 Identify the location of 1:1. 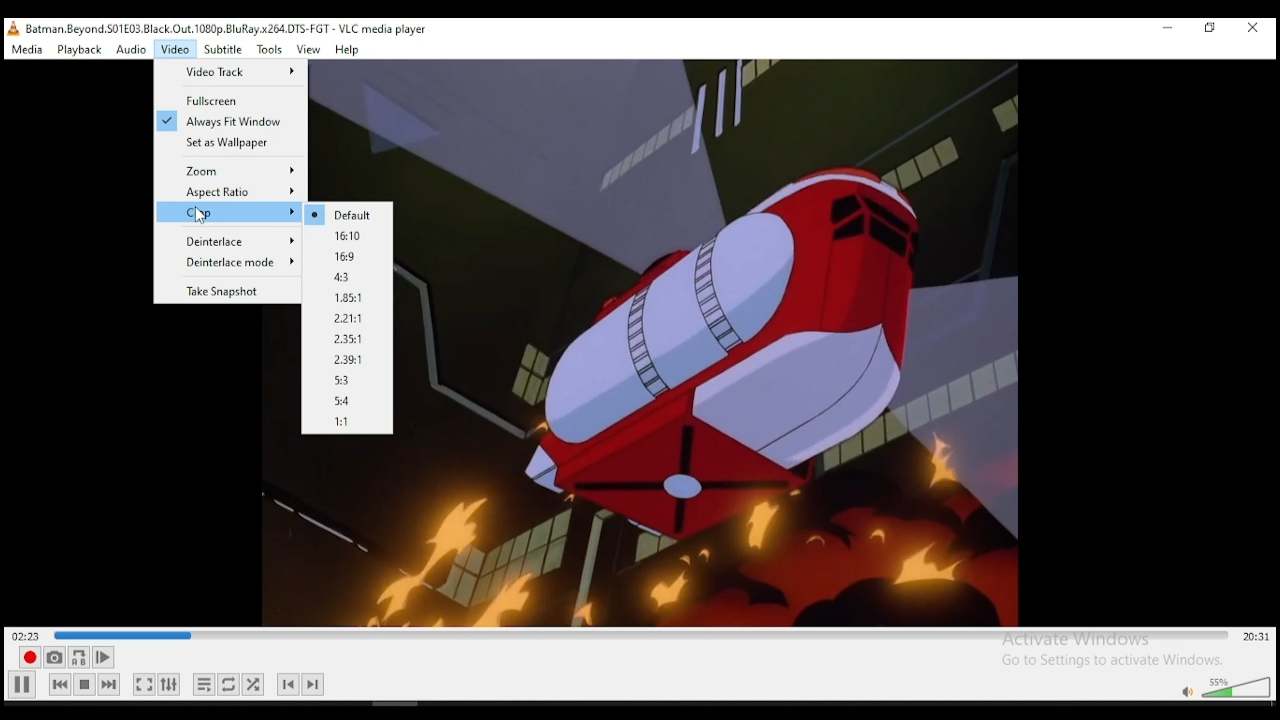
(346, 424).